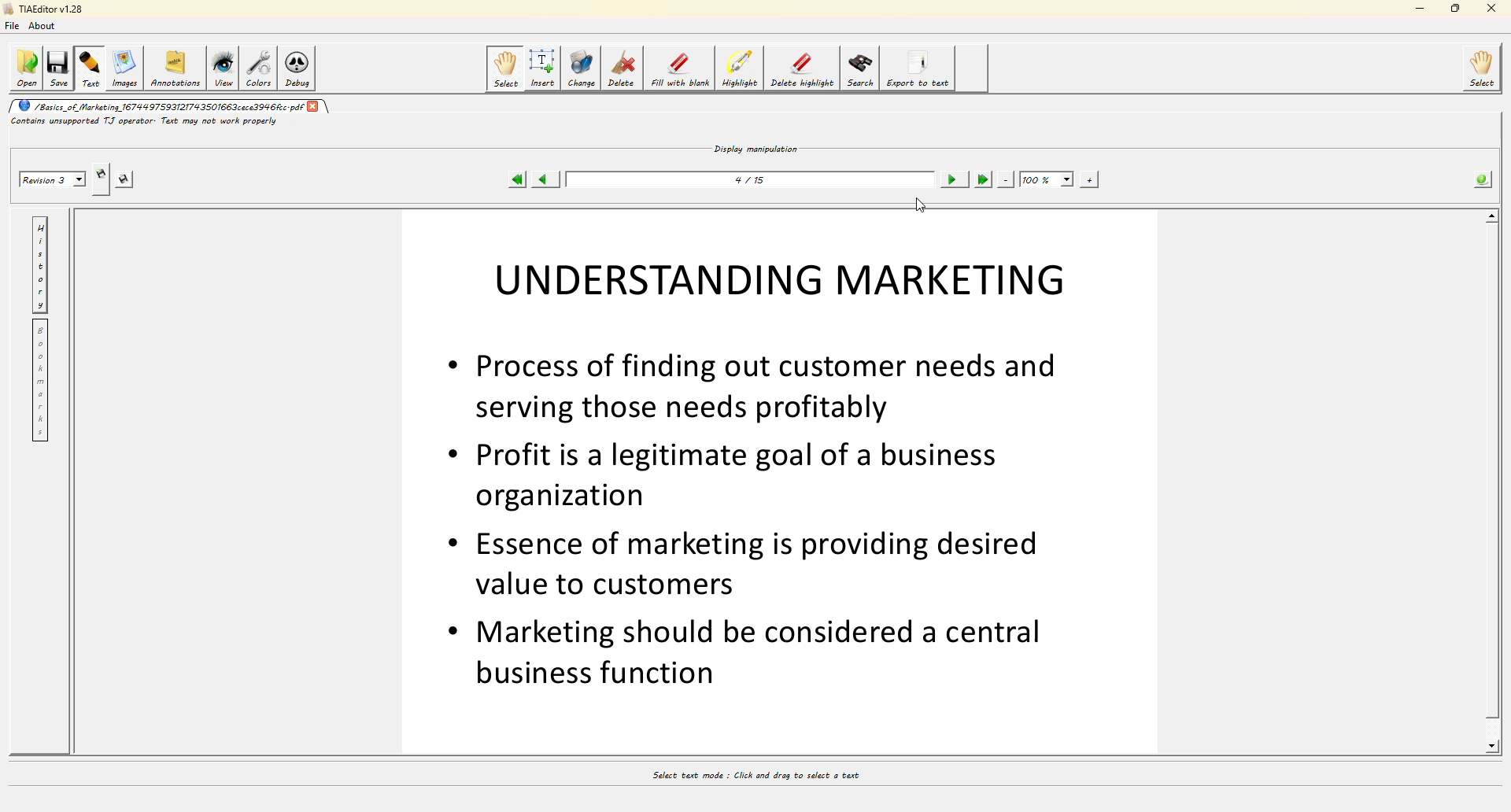 The image size is (1511, 812). Describe the element at coordinates (919, 68) in the screenshot. I see `export to text` at that location.